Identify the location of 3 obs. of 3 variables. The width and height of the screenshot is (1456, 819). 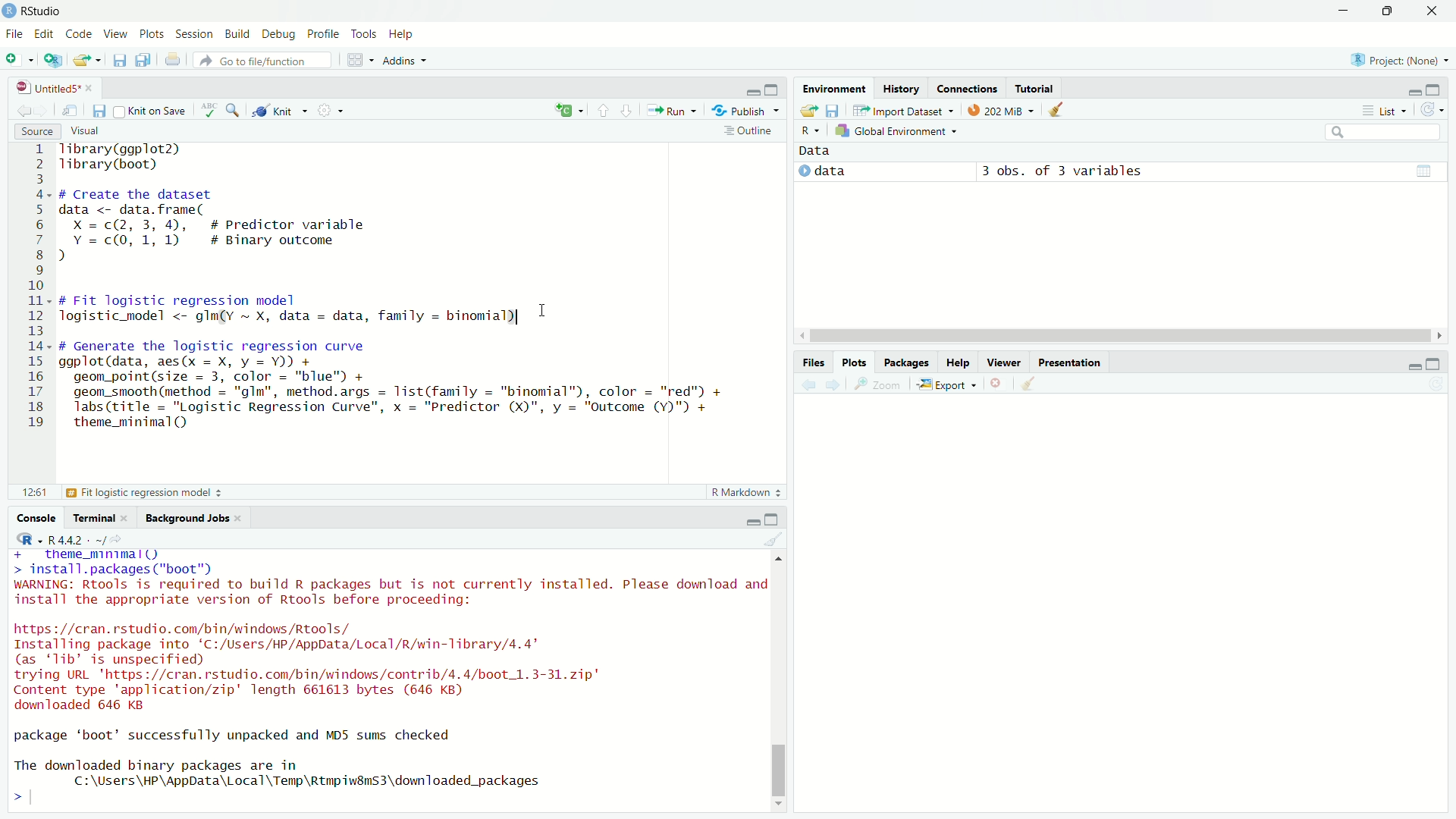
(1062, 172).